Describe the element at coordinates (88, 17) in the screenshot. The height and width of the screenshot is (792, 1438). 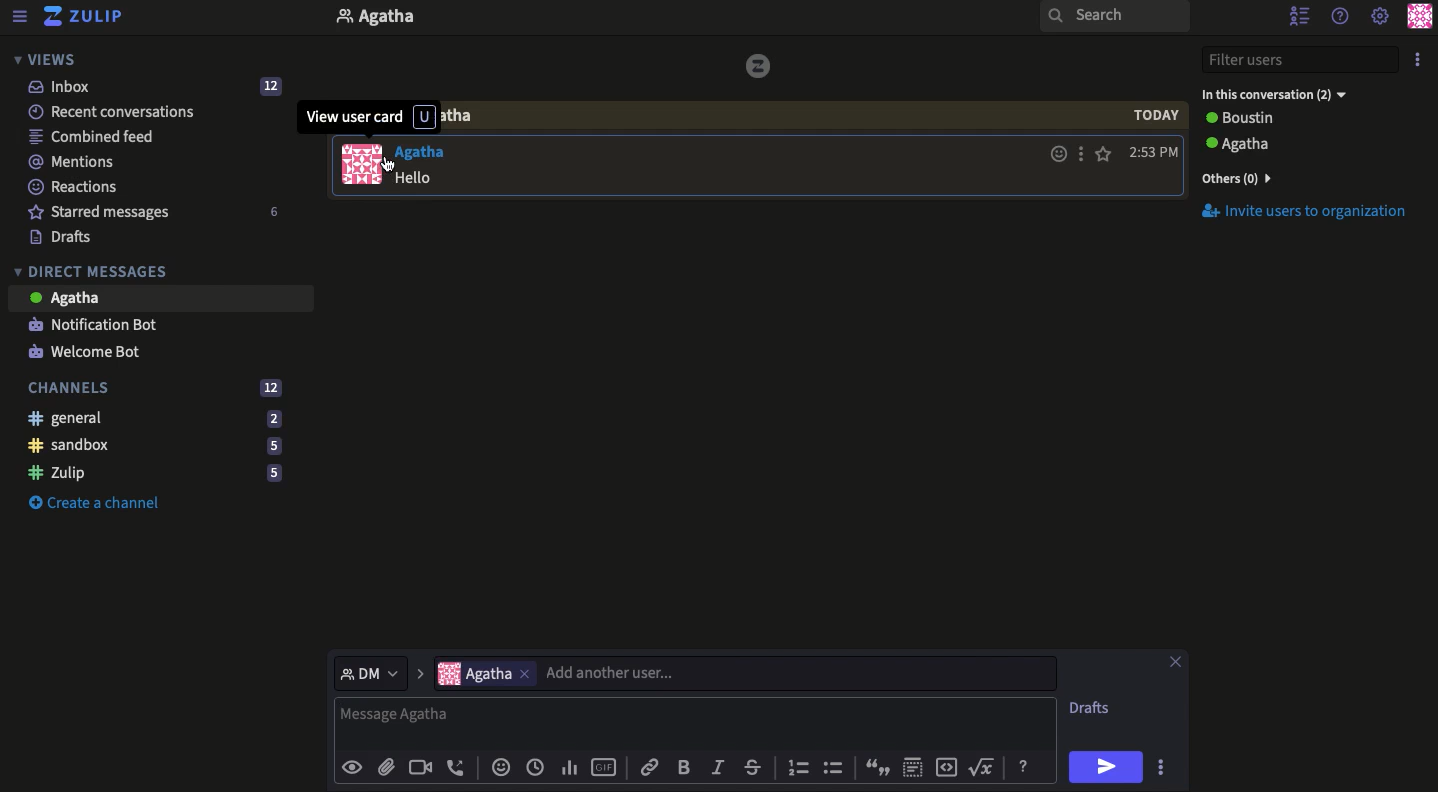
I see `Zulip` at that location.